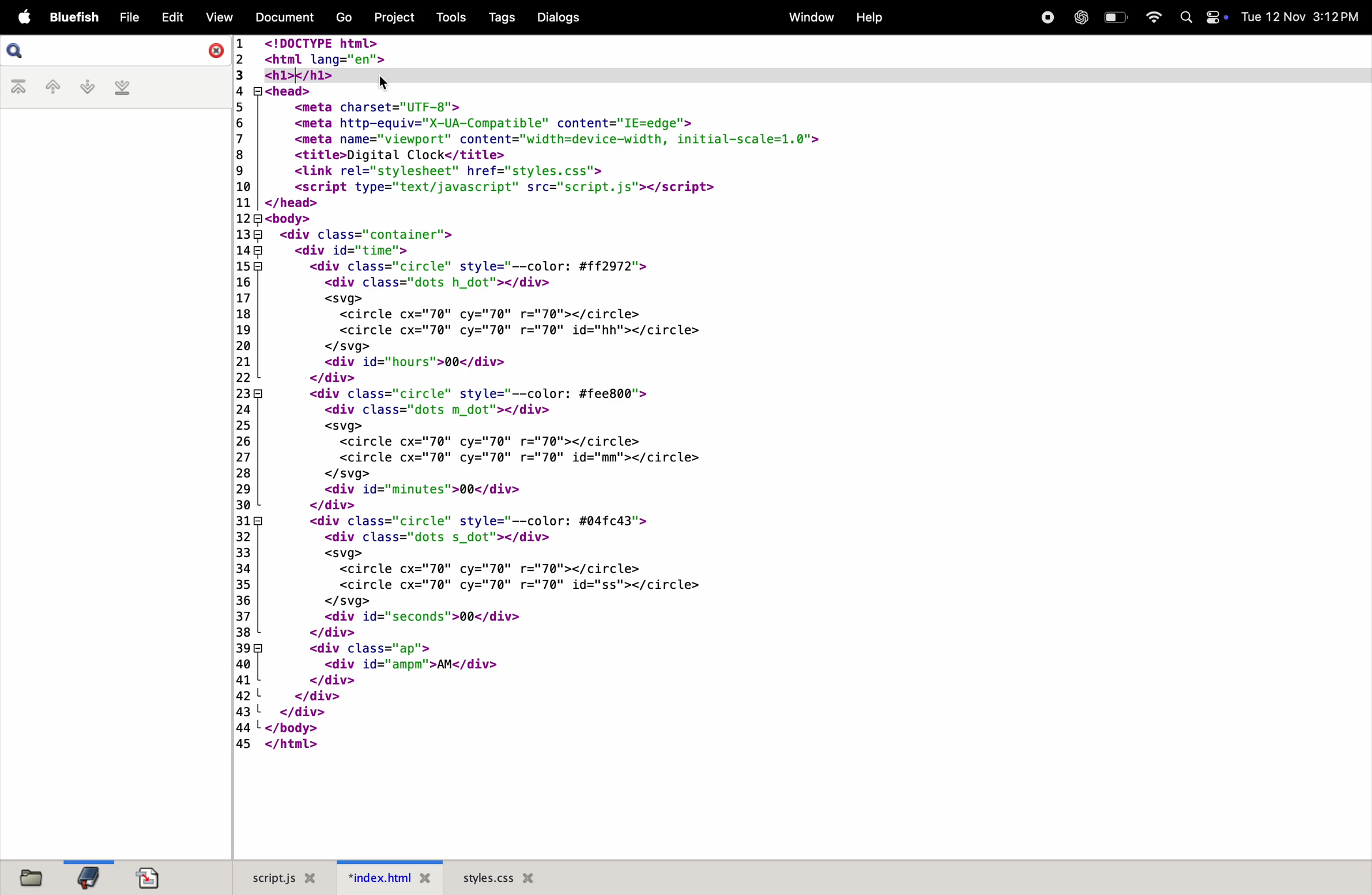  Describe the element at coordinates (22, 18) in the screenshot. I see `apple menu` at that location.